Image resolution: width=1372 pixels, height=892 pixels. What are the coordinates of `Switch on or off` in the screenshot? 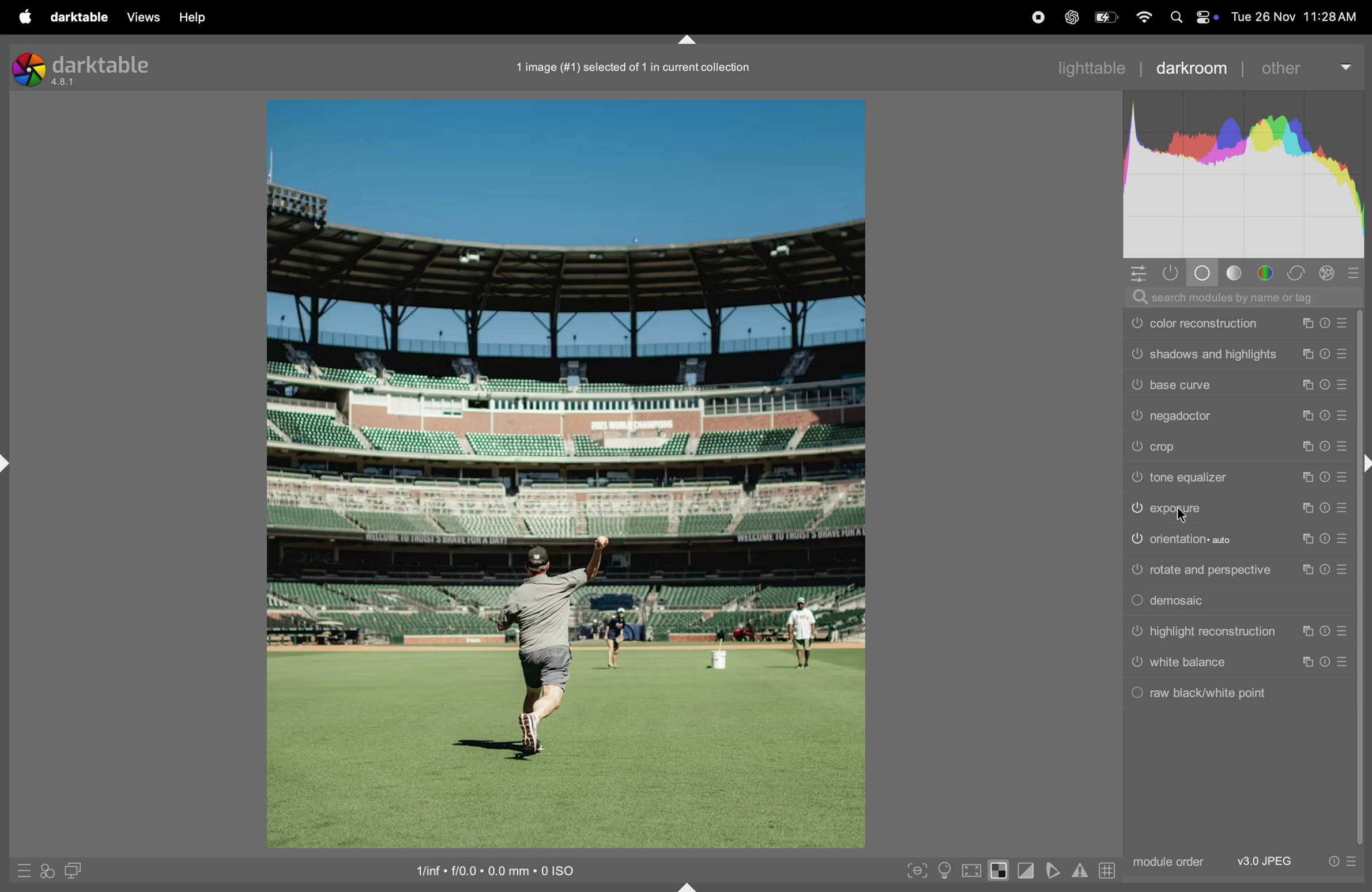 It's located at (1136, 415).